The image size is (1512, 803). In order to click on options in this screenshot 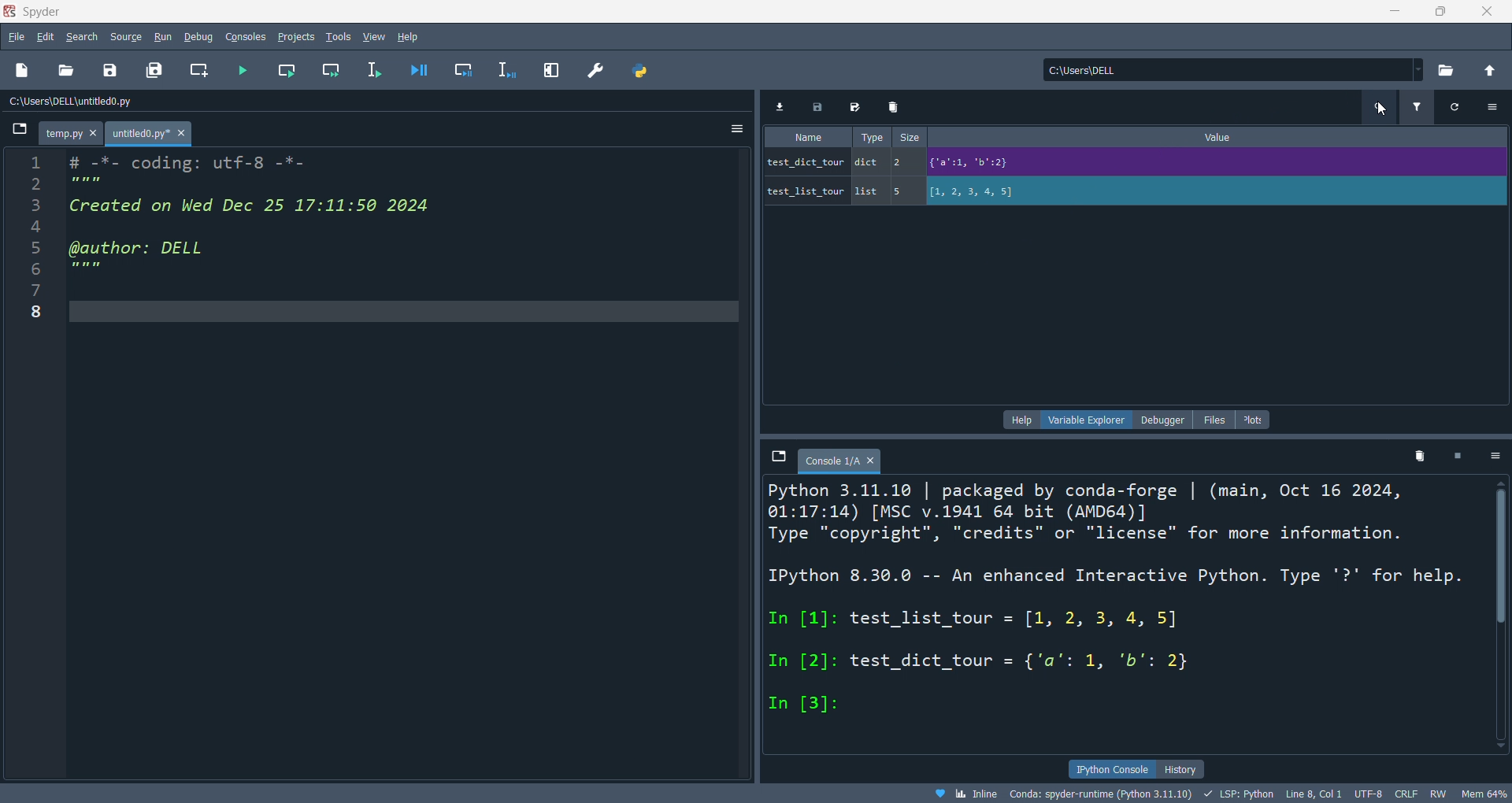, I will do `click(1498, 456)`.